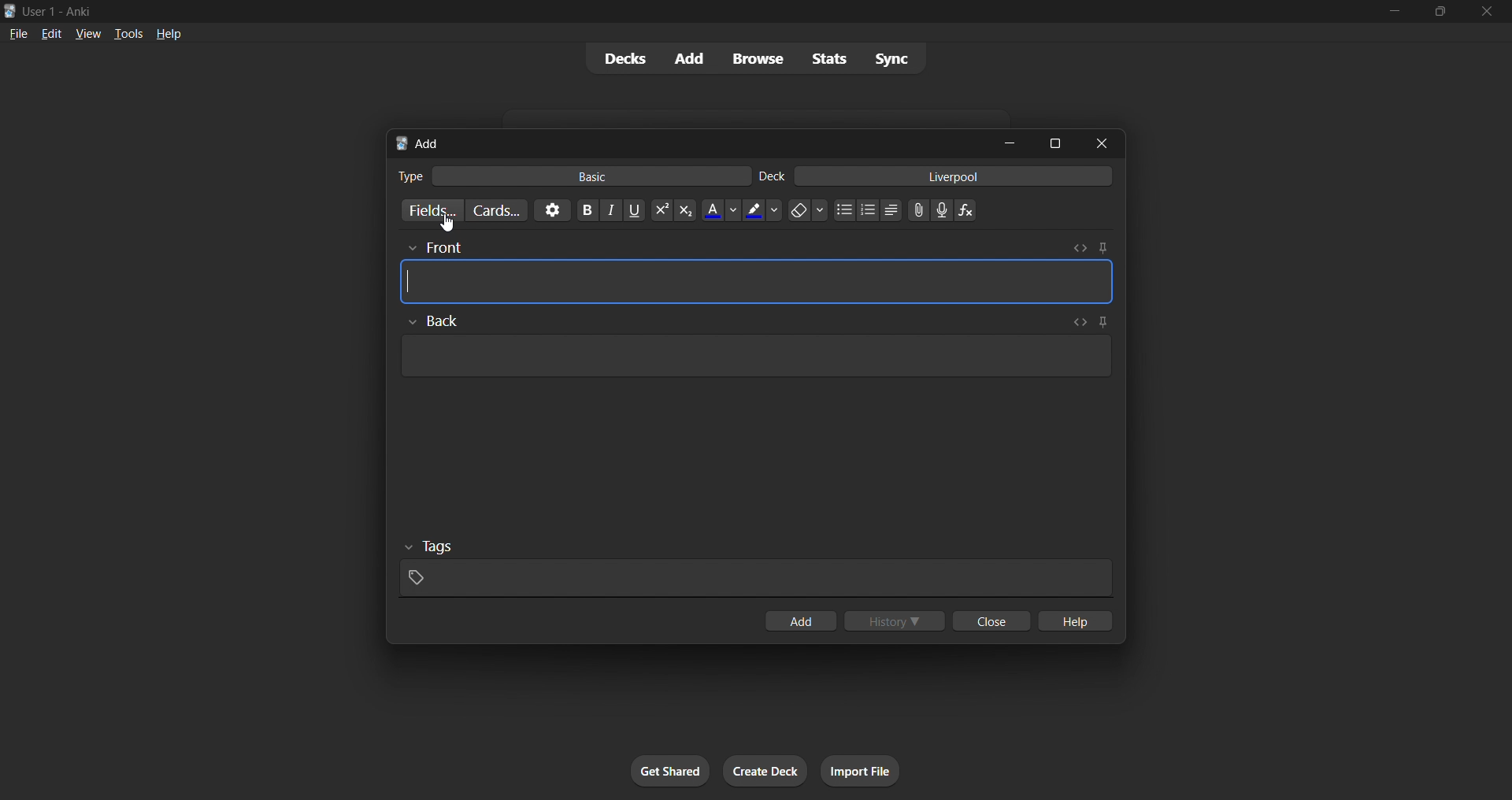 This screenshot has width=1512, height=800. Describe the element at coordinates (895, 620) in the screenshot. I see `history` at that location.